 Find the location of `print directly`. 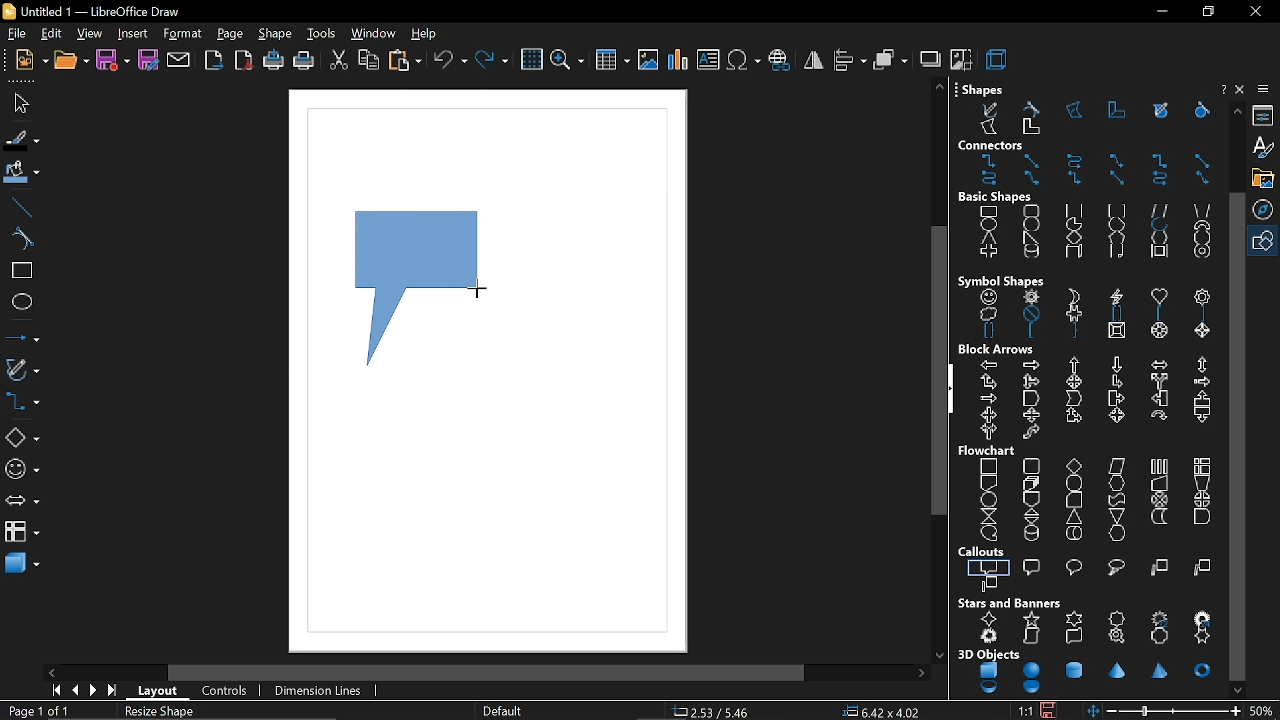

print directly is located at coordinates (274, 62).